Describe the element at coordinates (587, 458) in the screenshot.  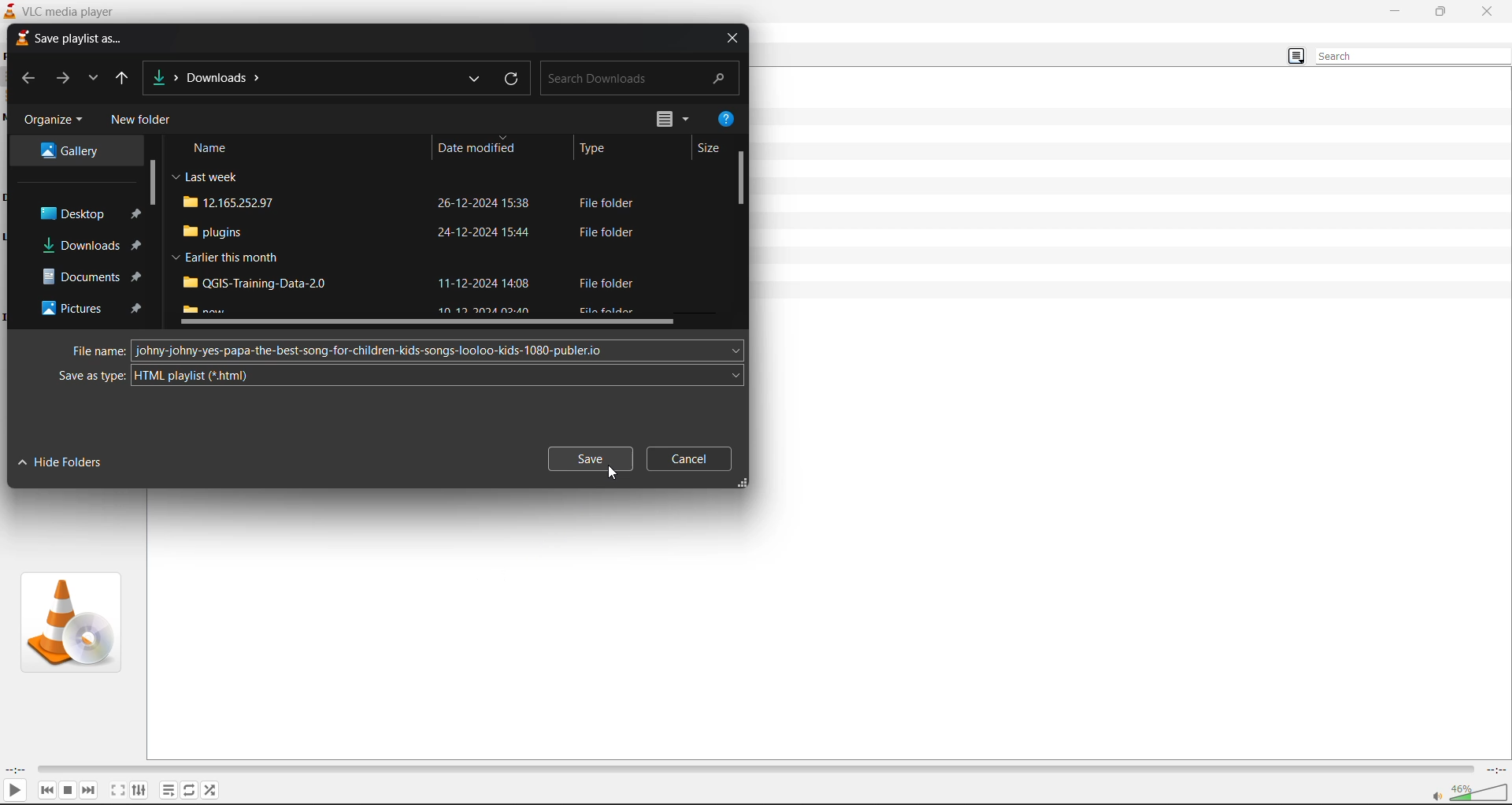
I see `save` at that location.